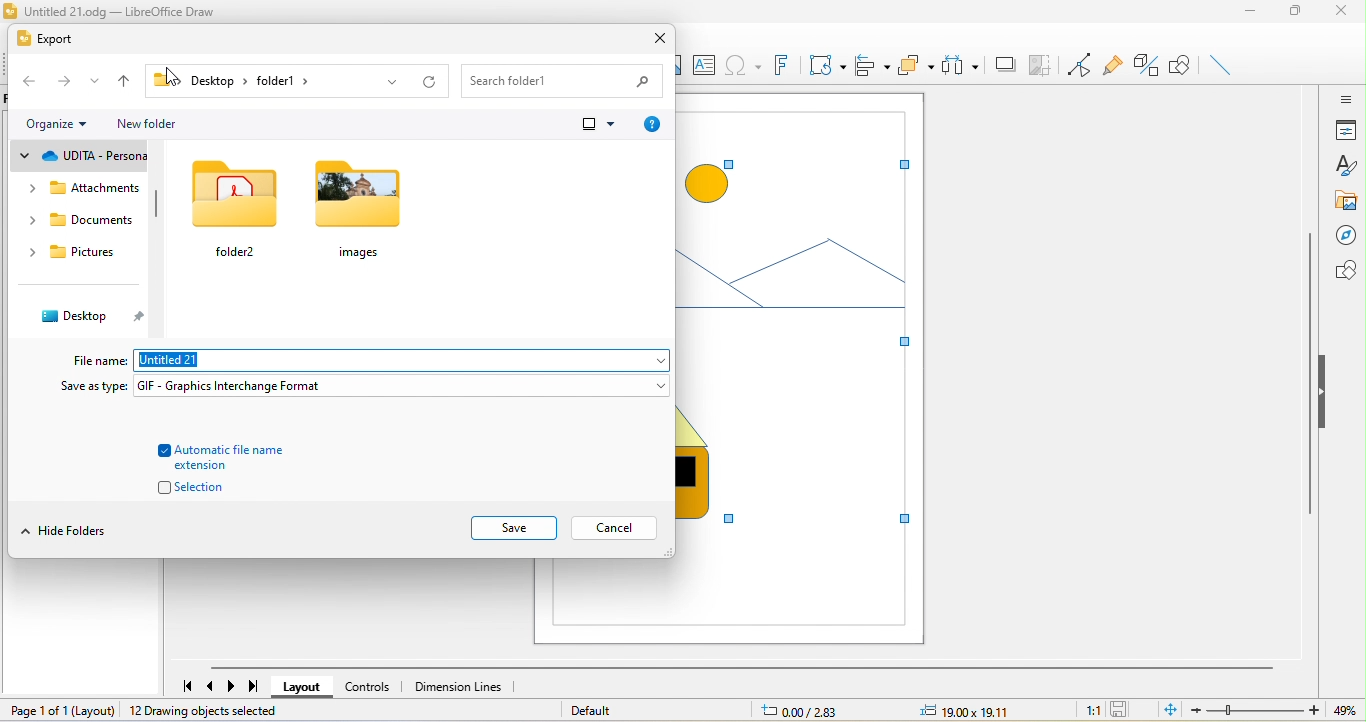  What do you see at coordinates (97, 84) in the screenshot?
I see `drop down` at bounding box center [97, 84].